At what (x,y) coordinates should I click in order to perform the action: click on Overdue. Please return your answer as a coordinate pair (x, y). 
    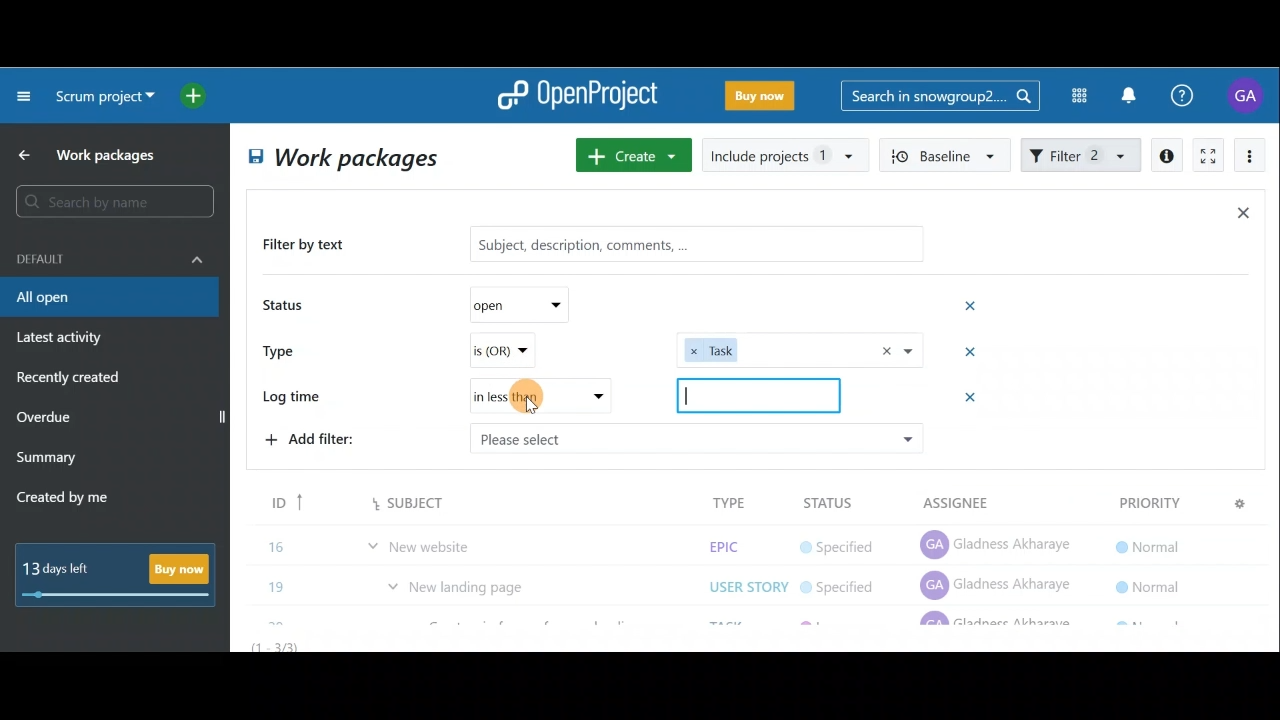
    Looking at the image, I should click on (46, 419).